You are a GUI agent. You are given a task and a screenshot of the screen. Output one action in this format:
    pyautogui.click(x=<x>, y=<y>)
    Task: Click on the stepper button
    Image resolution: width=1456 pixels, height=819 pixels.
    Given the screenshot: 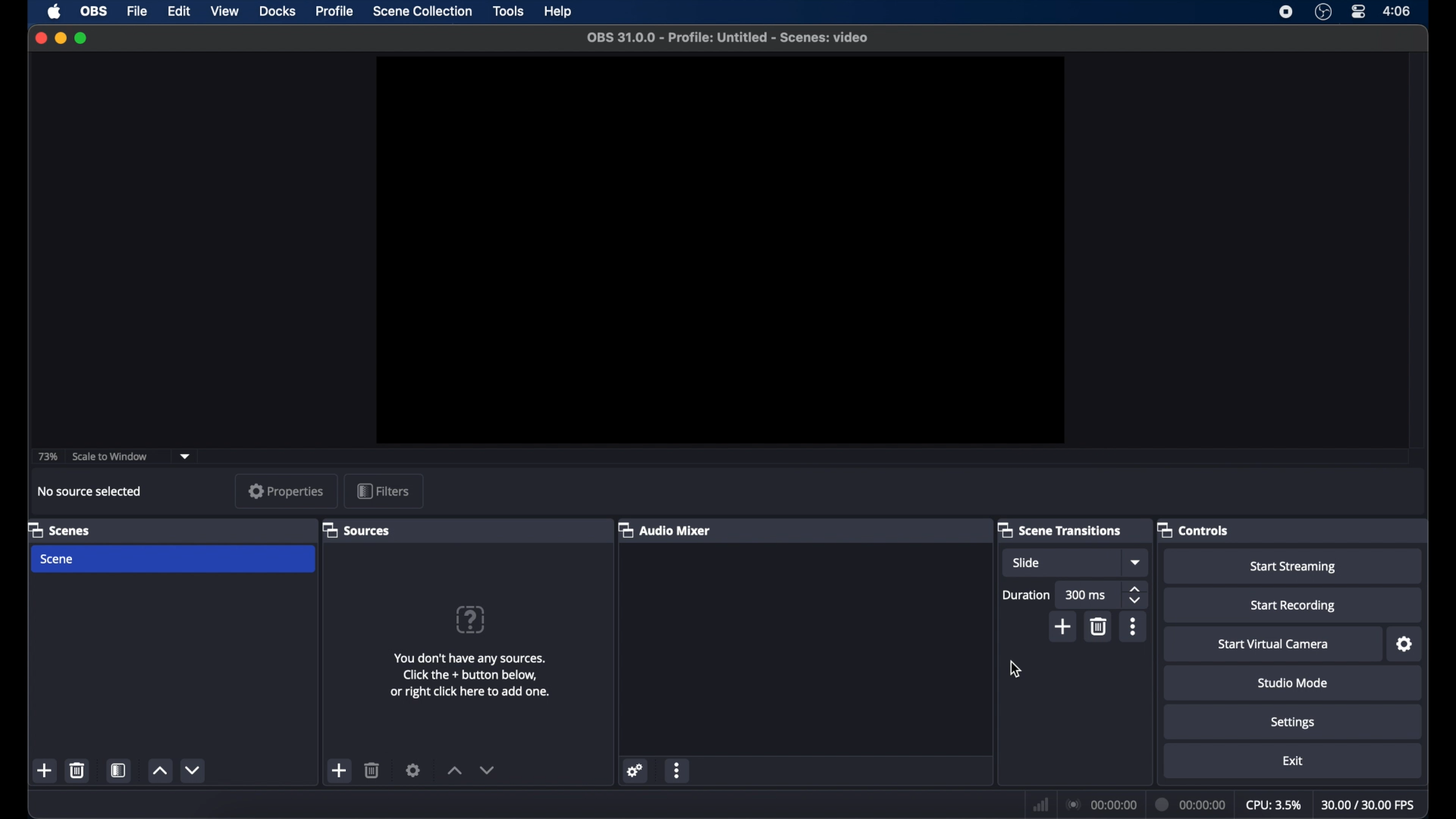 What is the action you would take?
    pyautogui.click(x=1137, y=595)
    